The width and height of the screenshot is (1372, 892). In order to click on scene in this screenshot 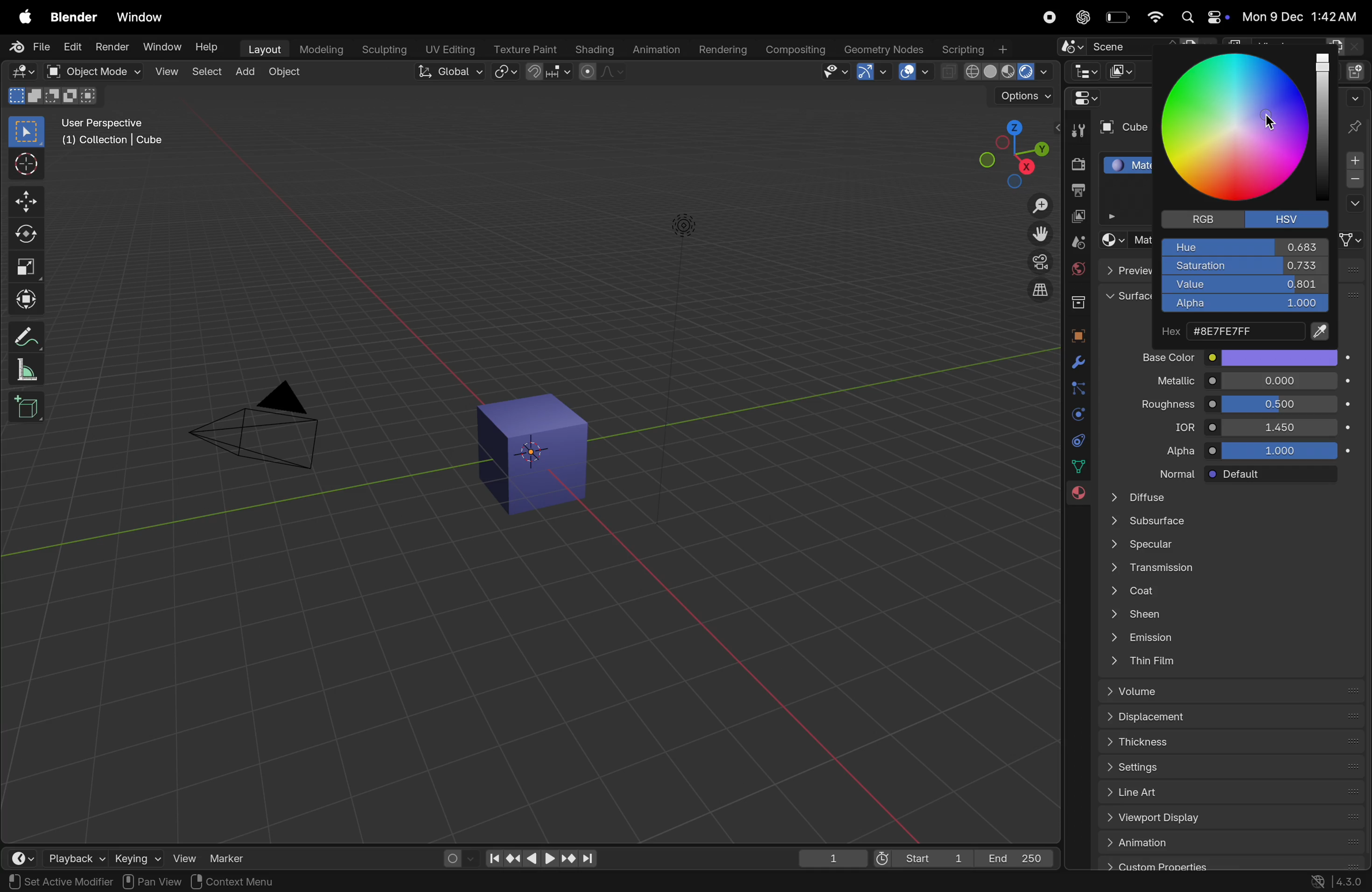, I will do `click(1076, 242)`.